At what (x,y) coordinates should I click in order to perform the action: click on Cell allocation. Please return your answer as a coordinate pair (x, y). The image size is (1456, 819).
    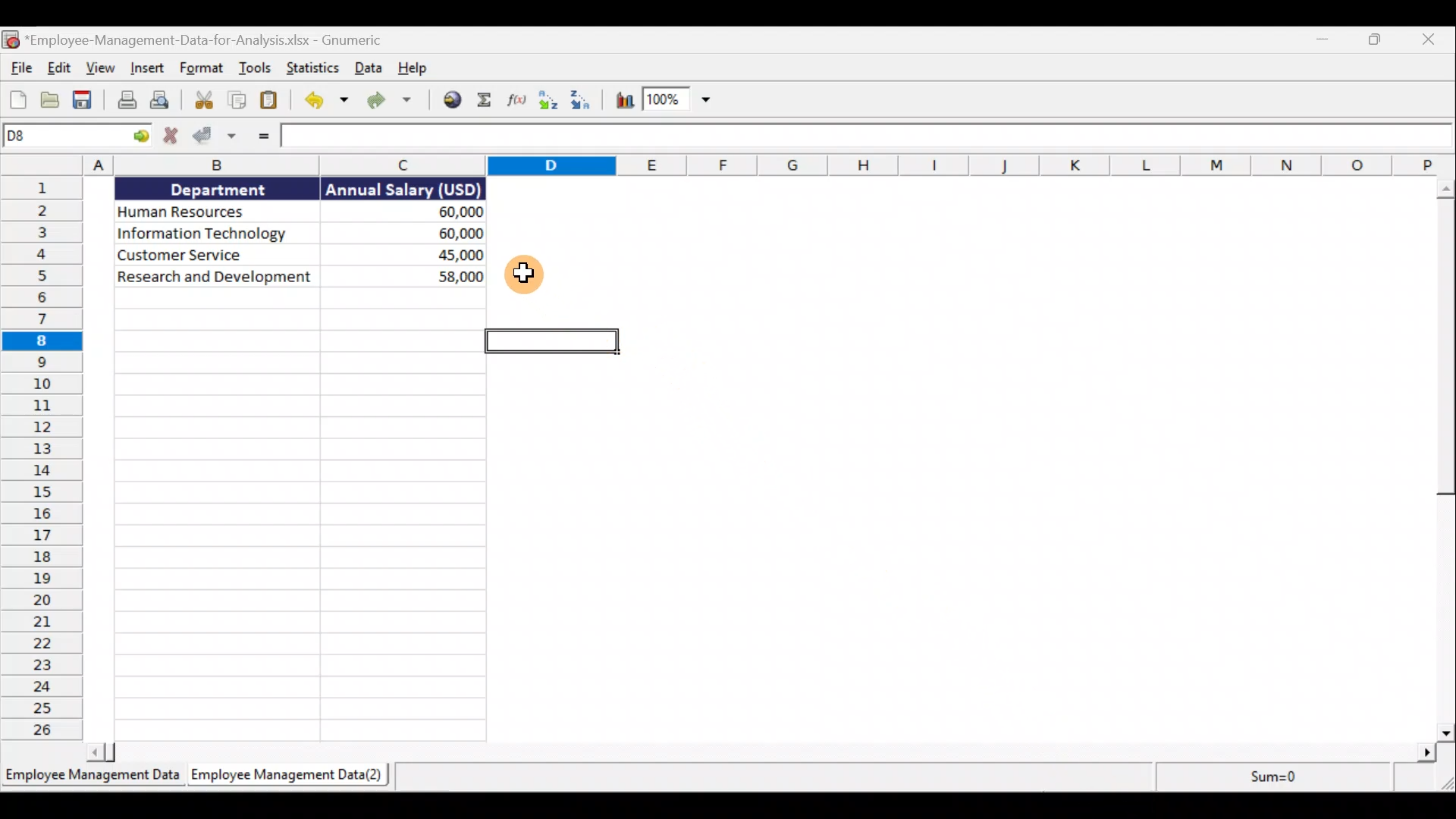
    Looking at the image, I should click on (75, 136).